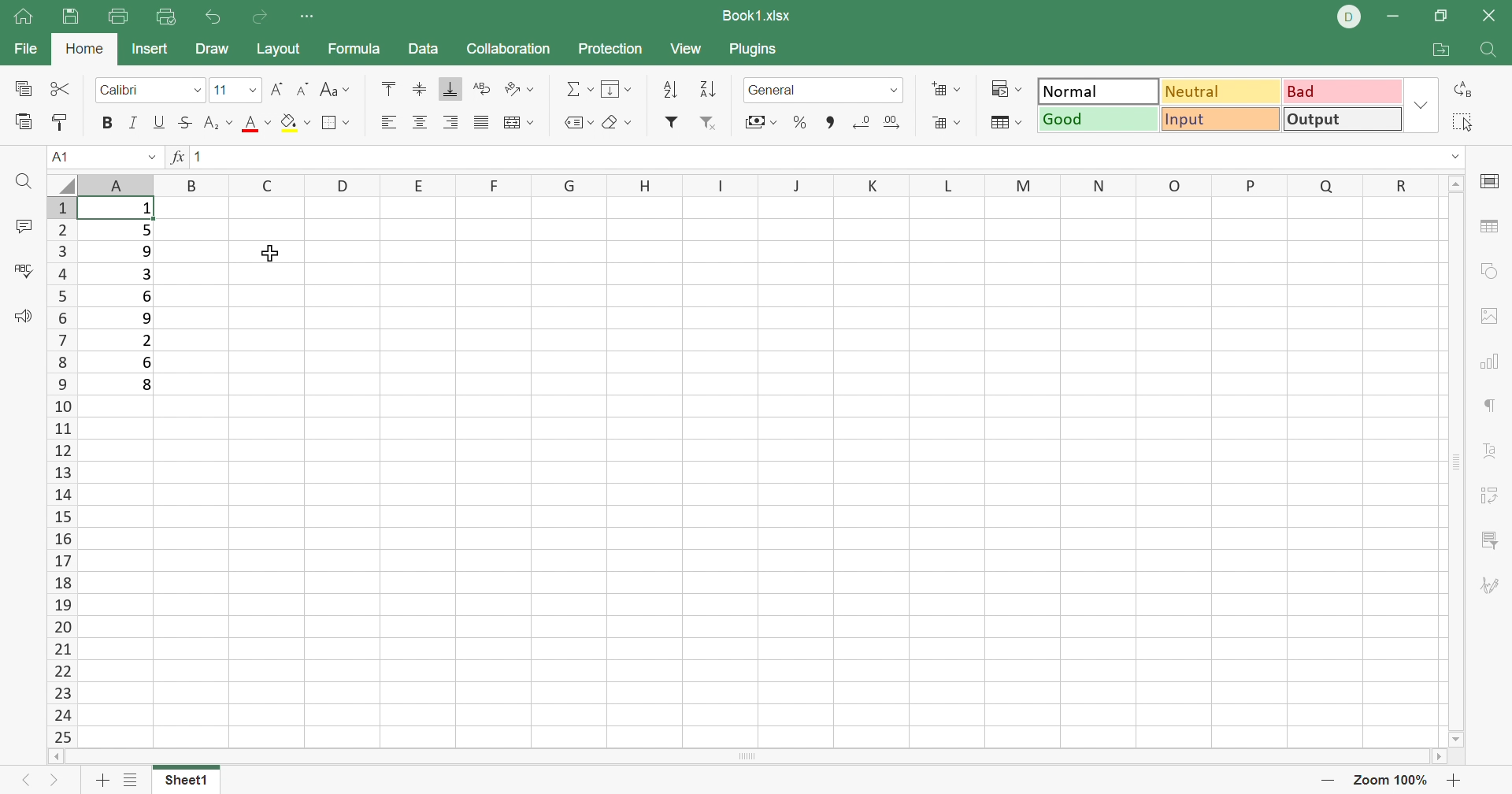  I want to click on Align center, so click(419, 122).